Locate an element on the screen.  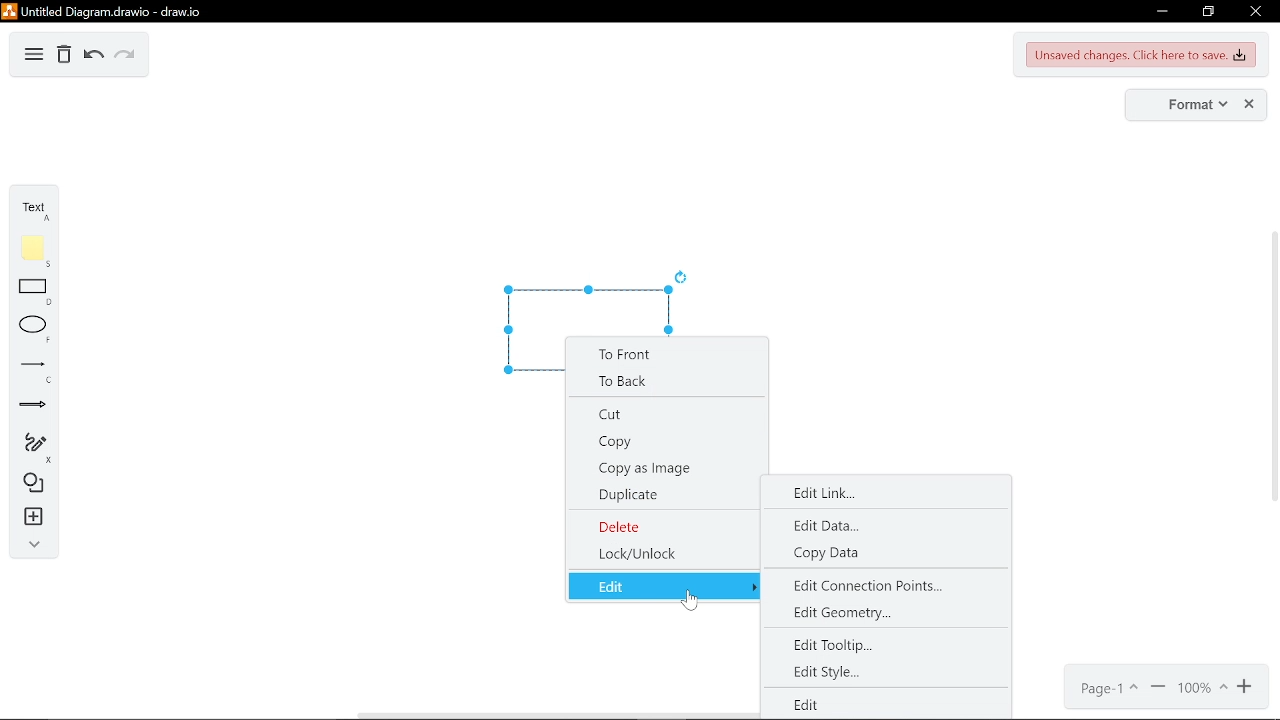
shapes is located at coordinates (36, 485).